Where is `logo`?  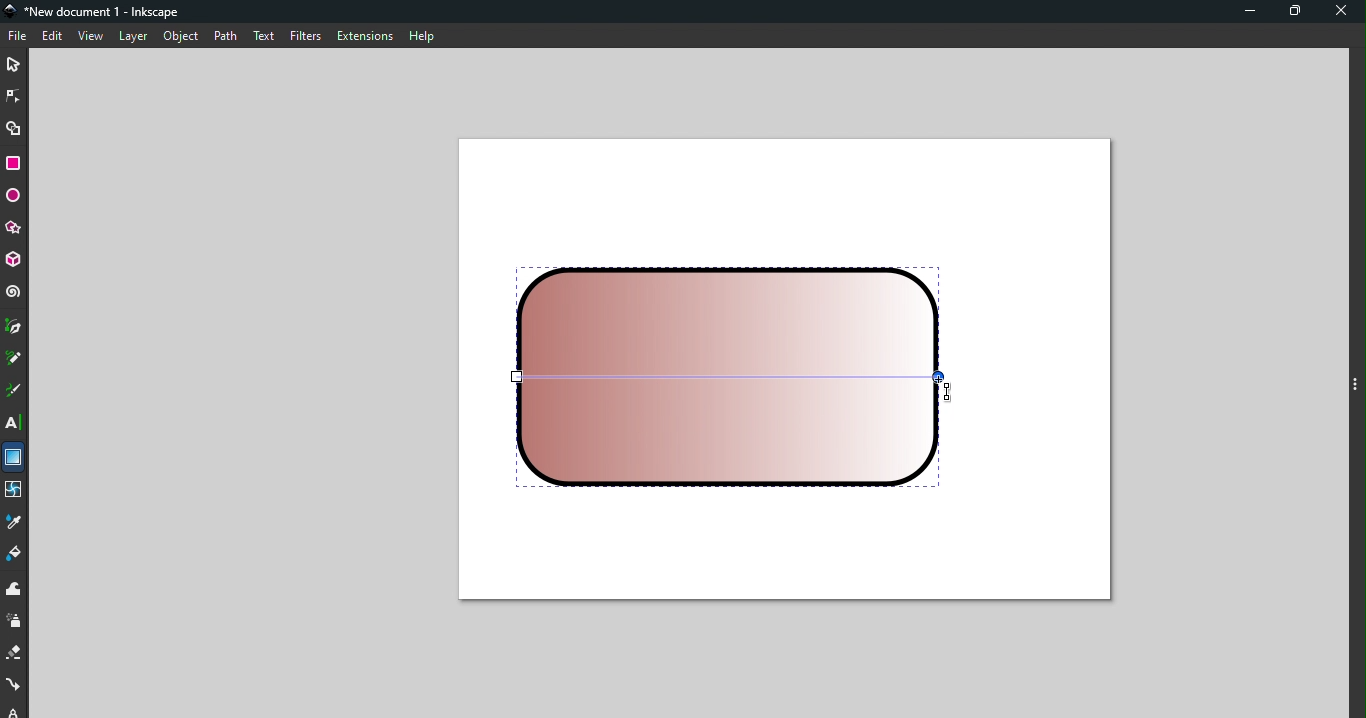 logo is located at coordinates (14, 12).